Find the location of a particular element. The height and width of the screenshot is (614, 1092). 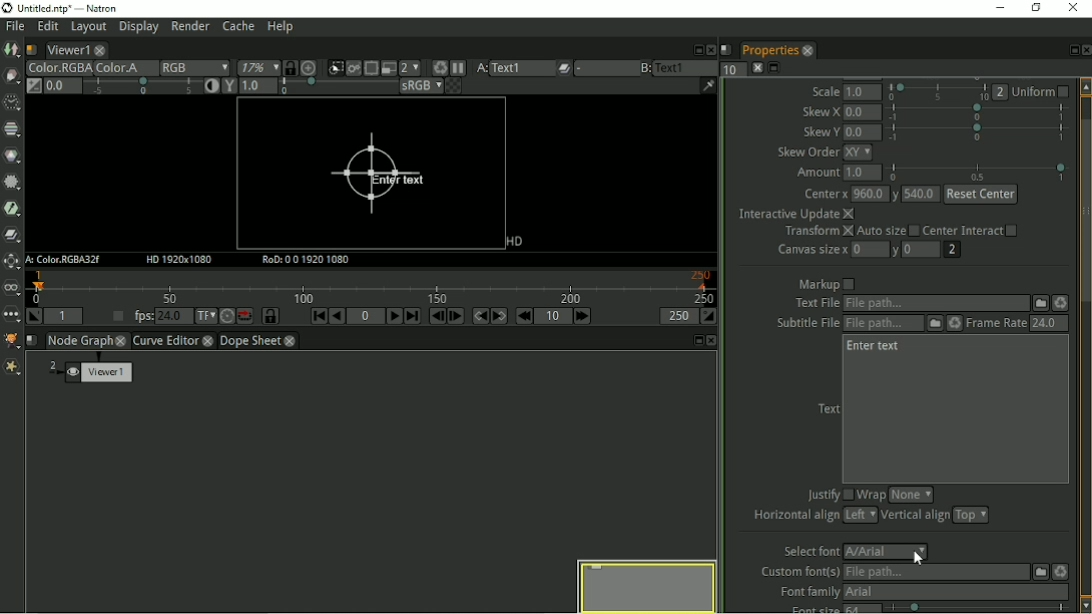

subtitle file is located at coordinates (808, 324).